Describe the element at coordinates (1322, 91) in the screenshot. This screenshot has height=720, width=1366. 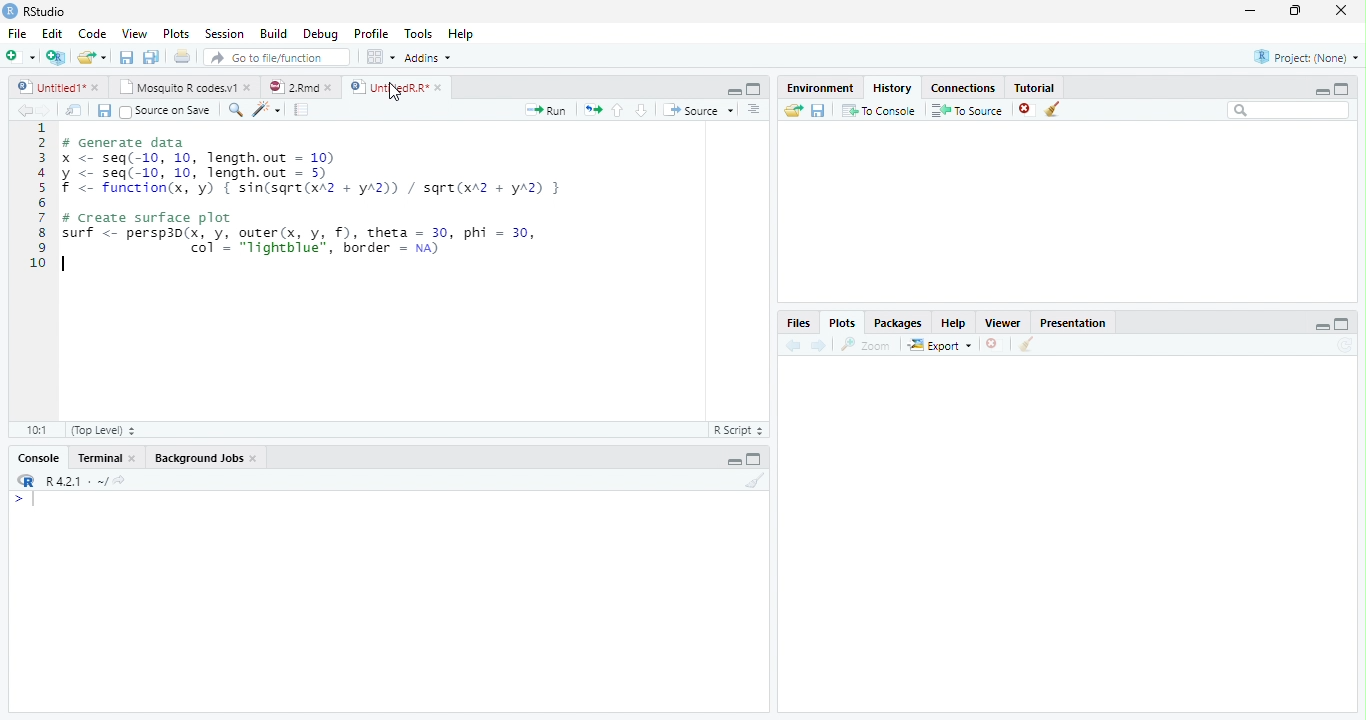
I see `minimize` at that location.